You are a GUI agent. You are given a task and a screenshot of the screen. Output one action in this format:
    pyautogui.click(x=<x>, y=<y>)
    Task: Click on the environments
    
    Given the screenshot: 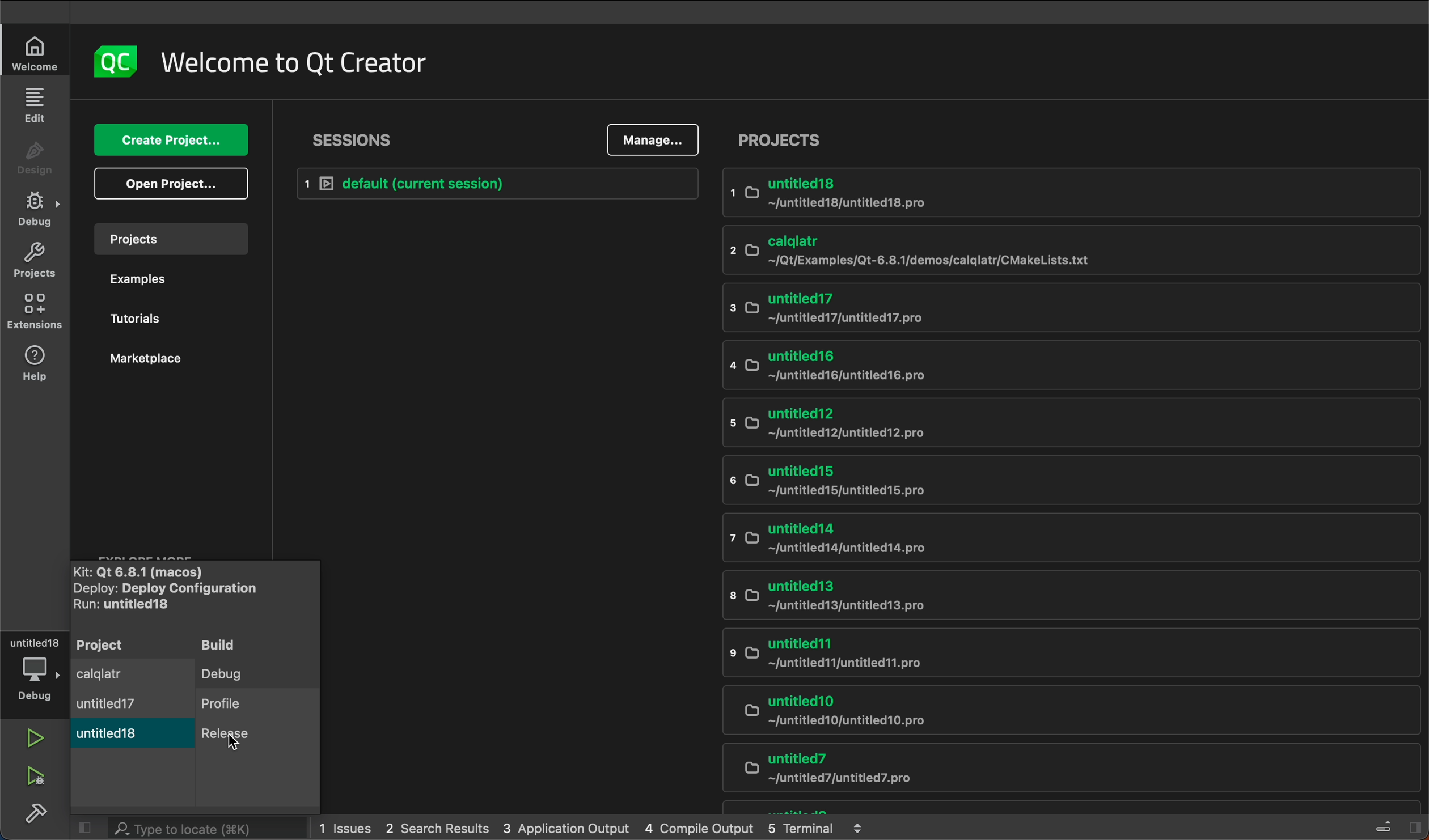 What is the action you would take?
    pyautogui.click(x=35, y=313)
    